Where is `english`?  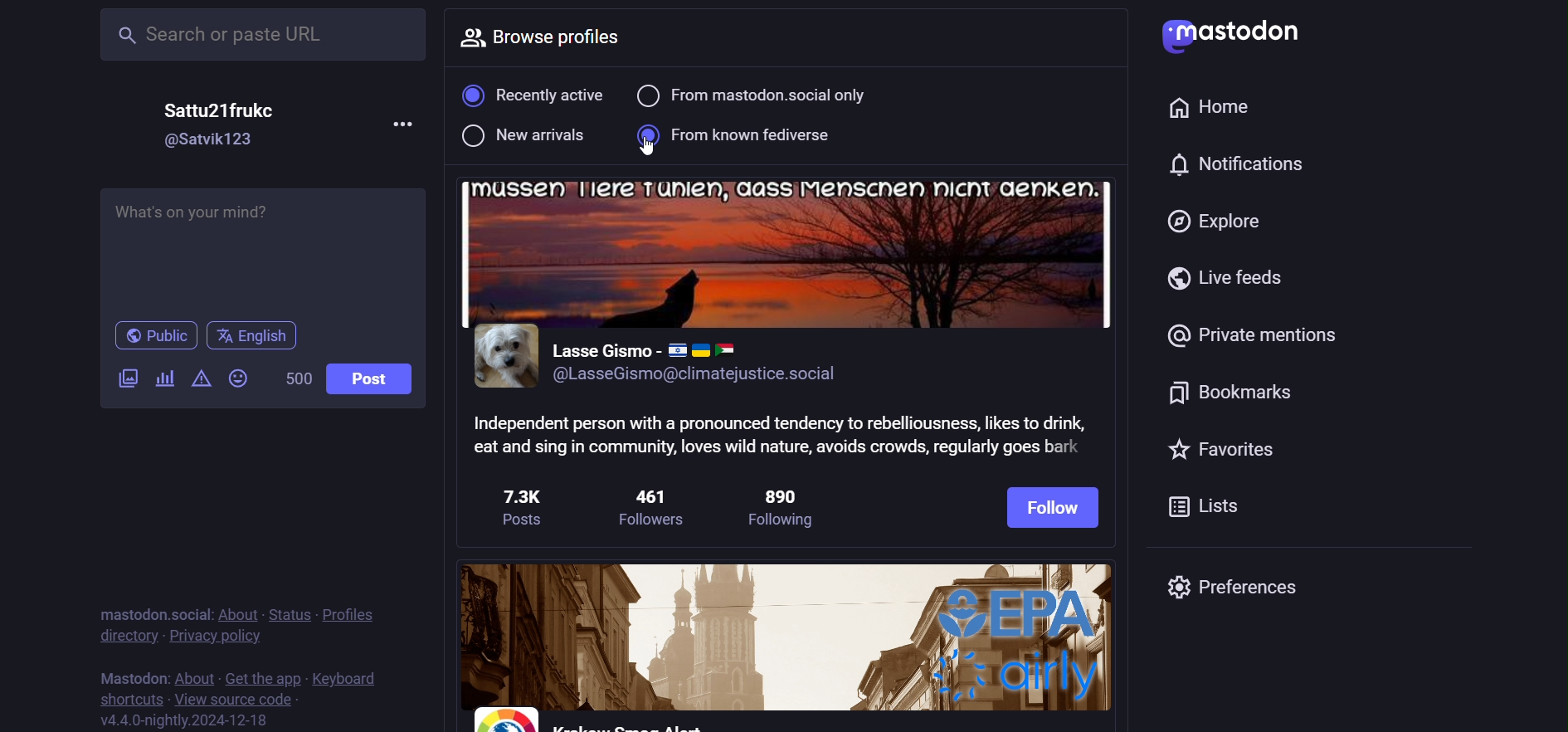
english is located at coordinates (259, 336).